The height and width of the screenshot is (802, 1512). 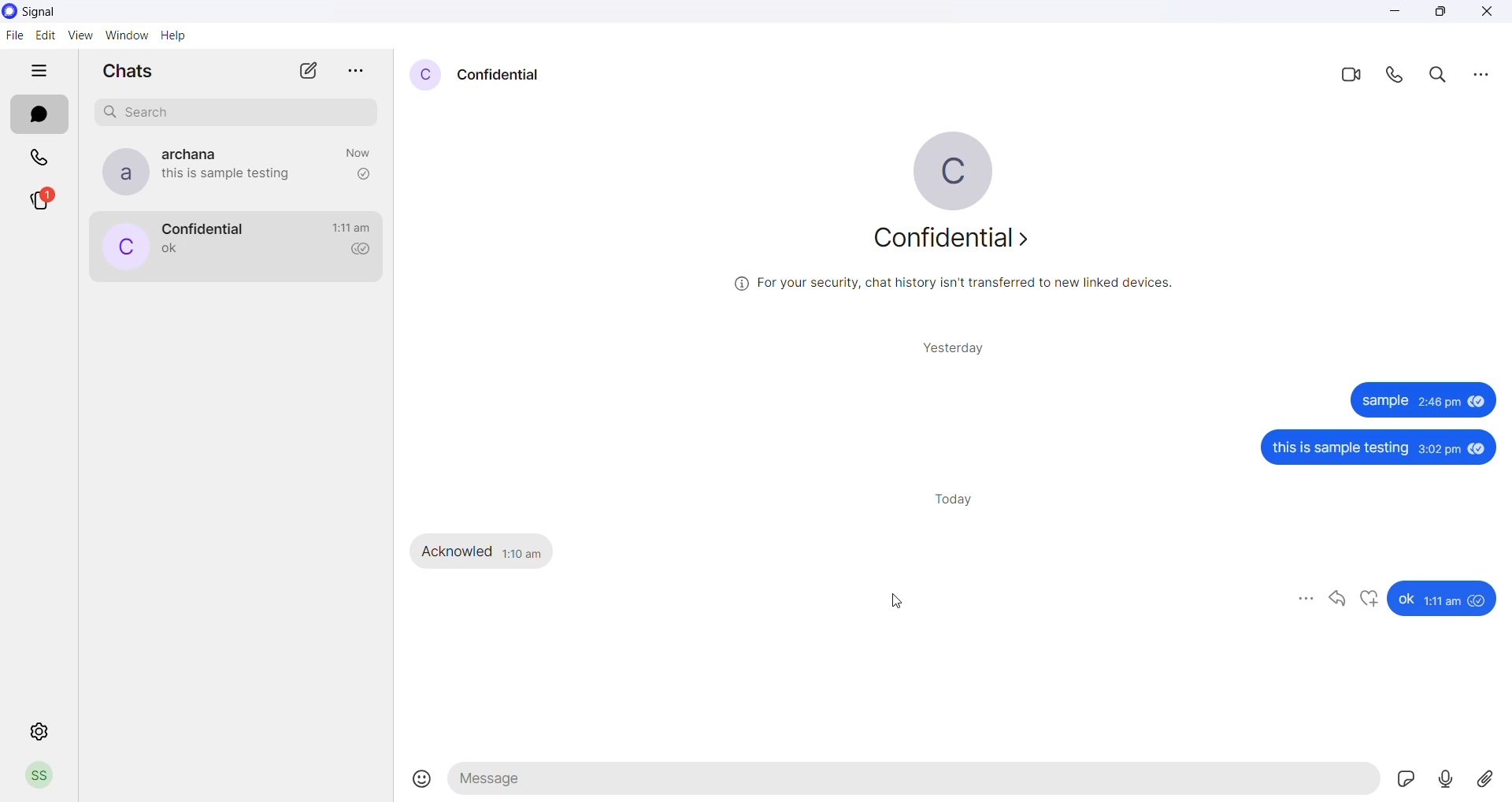 What do you see at coordinates (365, 251) in the screenshot?
I see `read recipient` at bounding box center [365, 251].